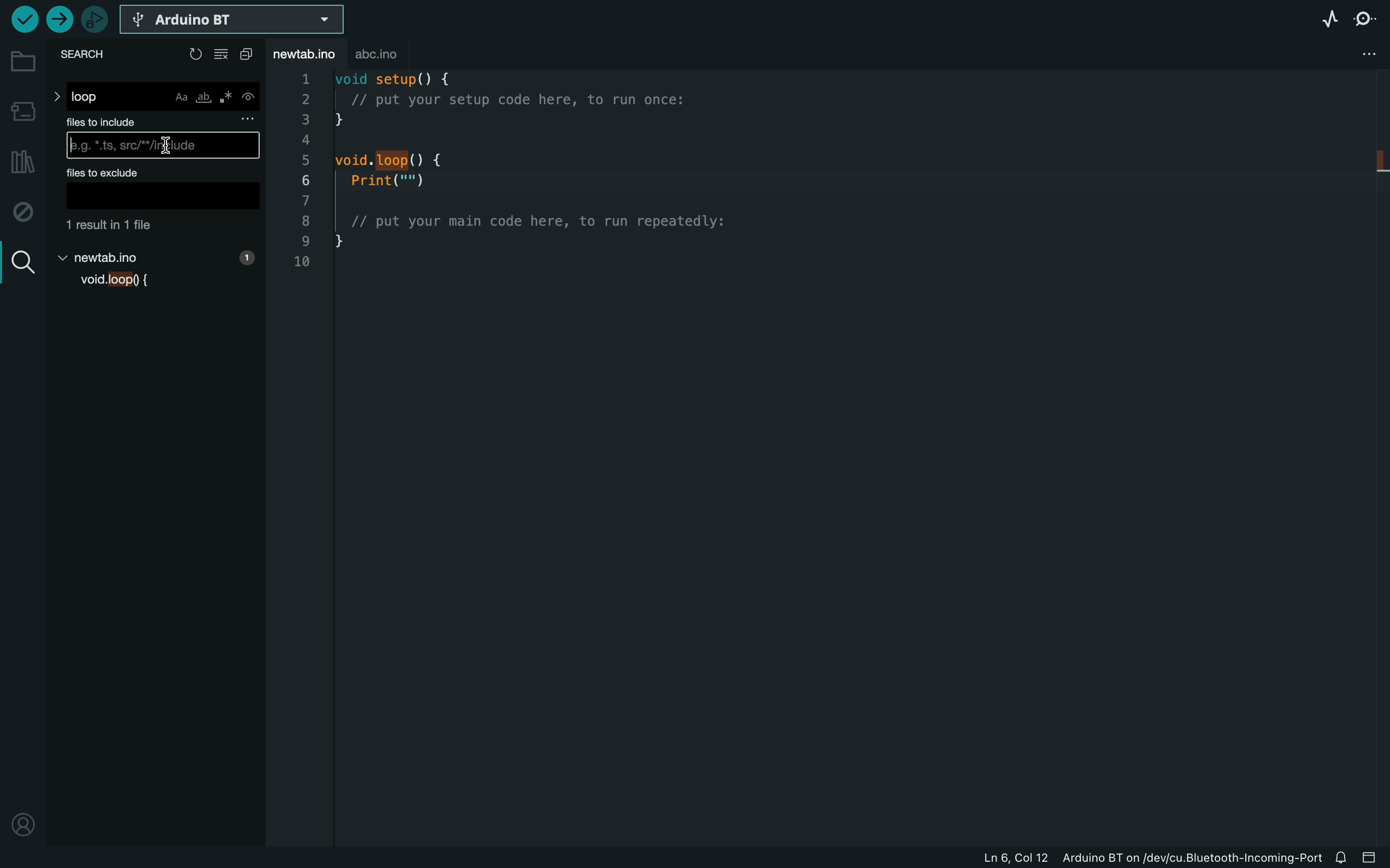  I want to click on new tab, so click(157, 255).